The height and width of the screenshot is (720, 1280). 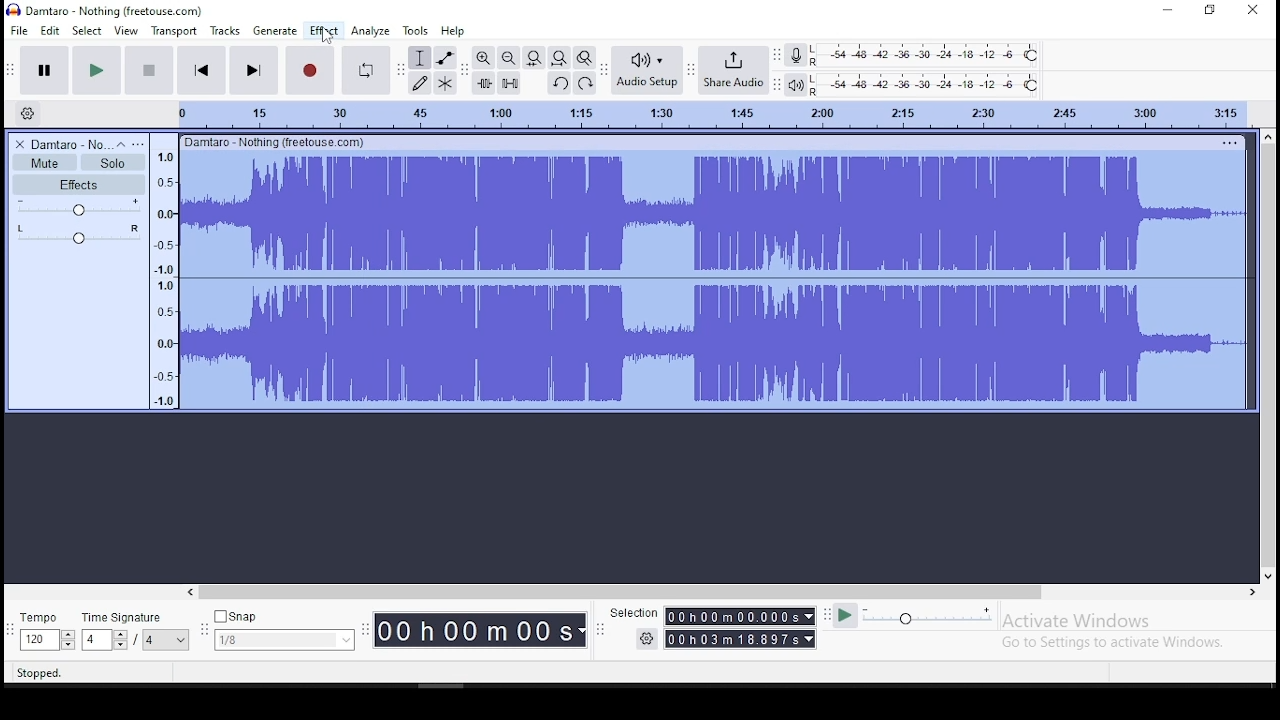 What do you see at coordinates (399, 69) in the screenshot?
I see `` at bounding box center [399, 69].